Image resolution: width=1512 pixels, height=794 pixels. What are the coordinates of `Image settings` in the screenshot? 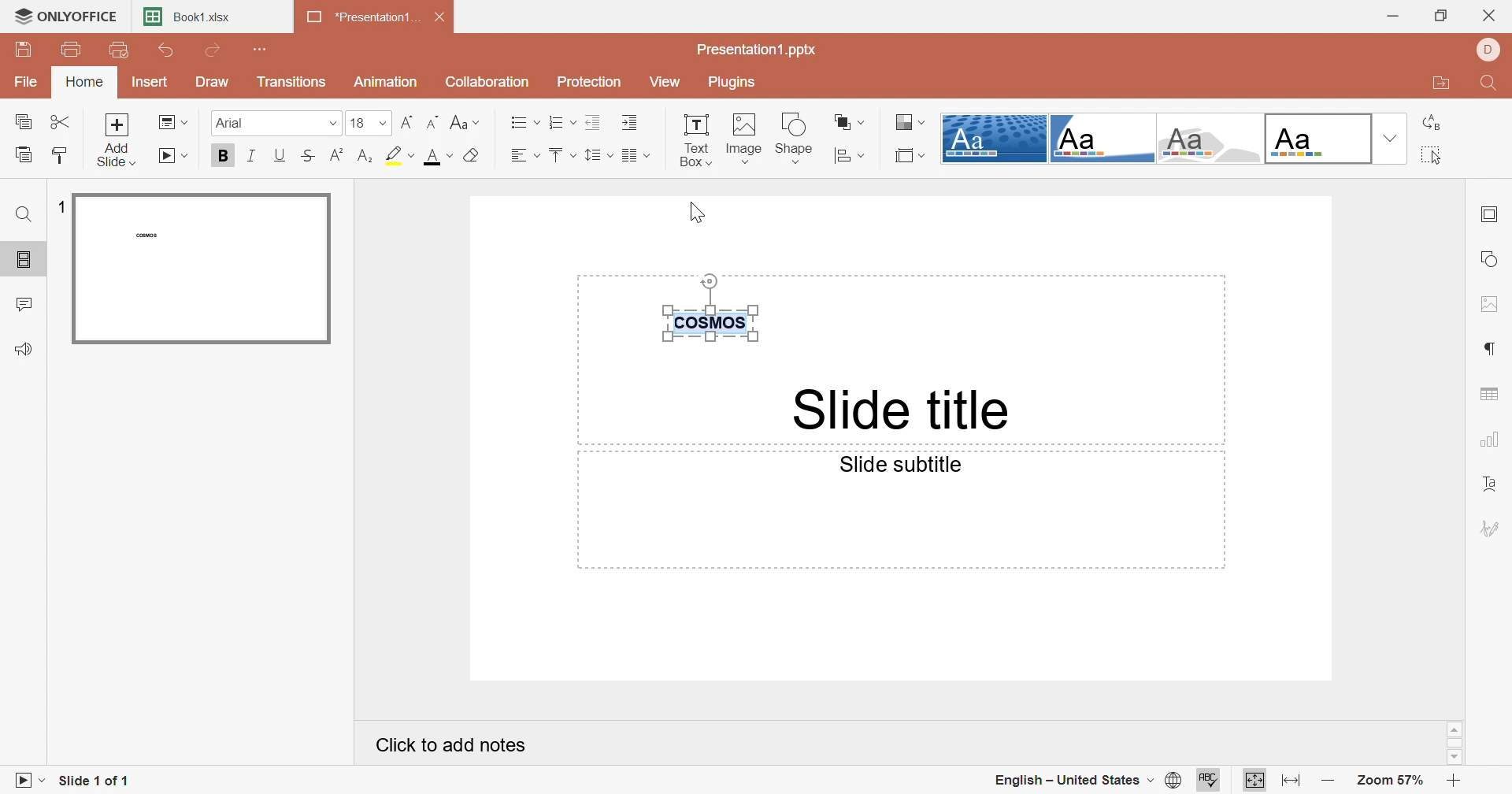 It's located at (1494, 305).